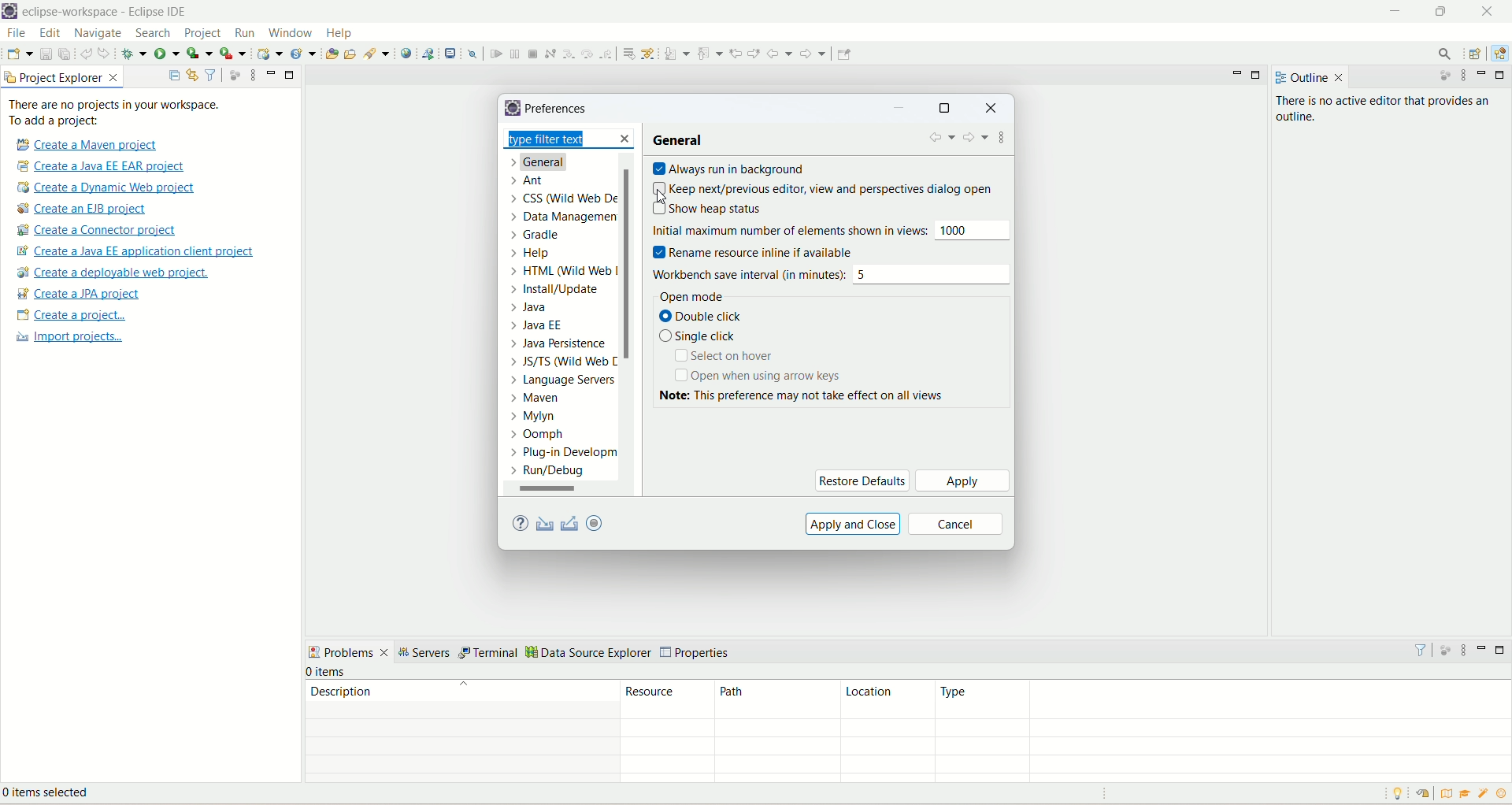  Describe the element at coordinates (80, 294) in the screenshot. I see `create JPA project` at that location.